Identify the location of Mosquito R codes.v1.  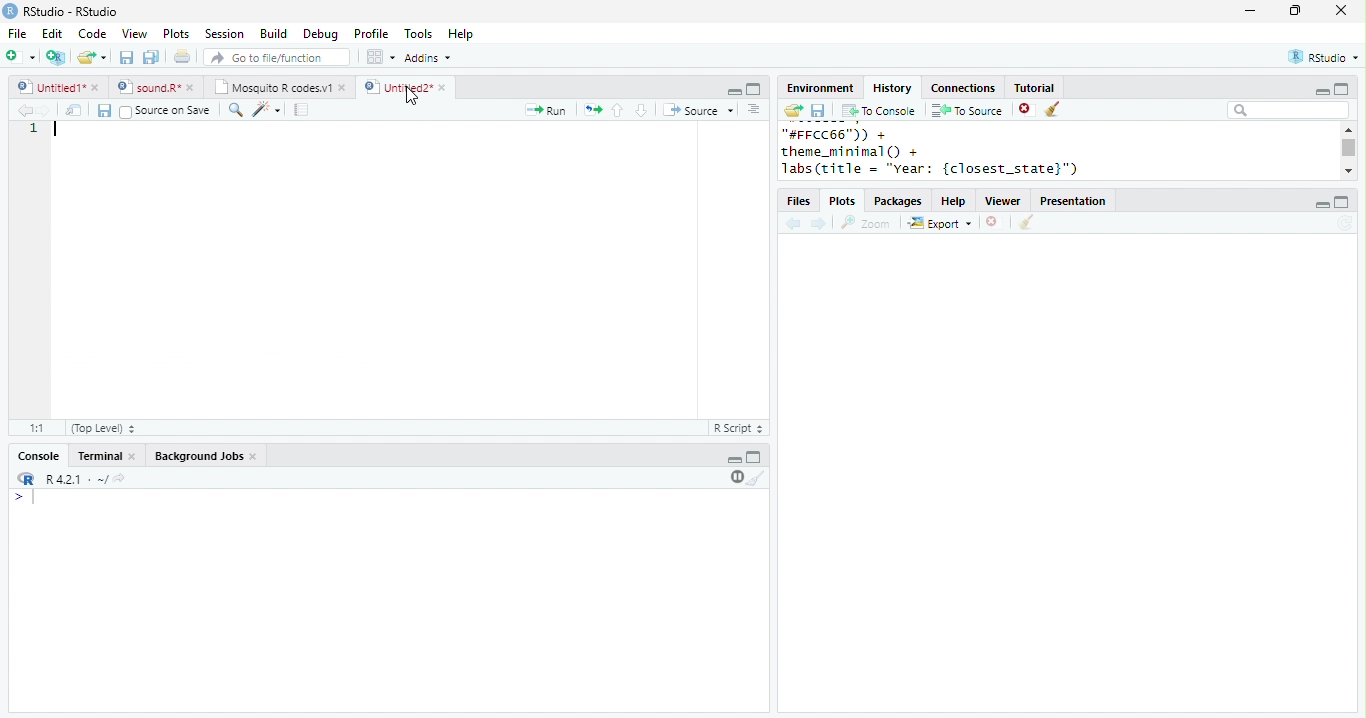
(273, 87).